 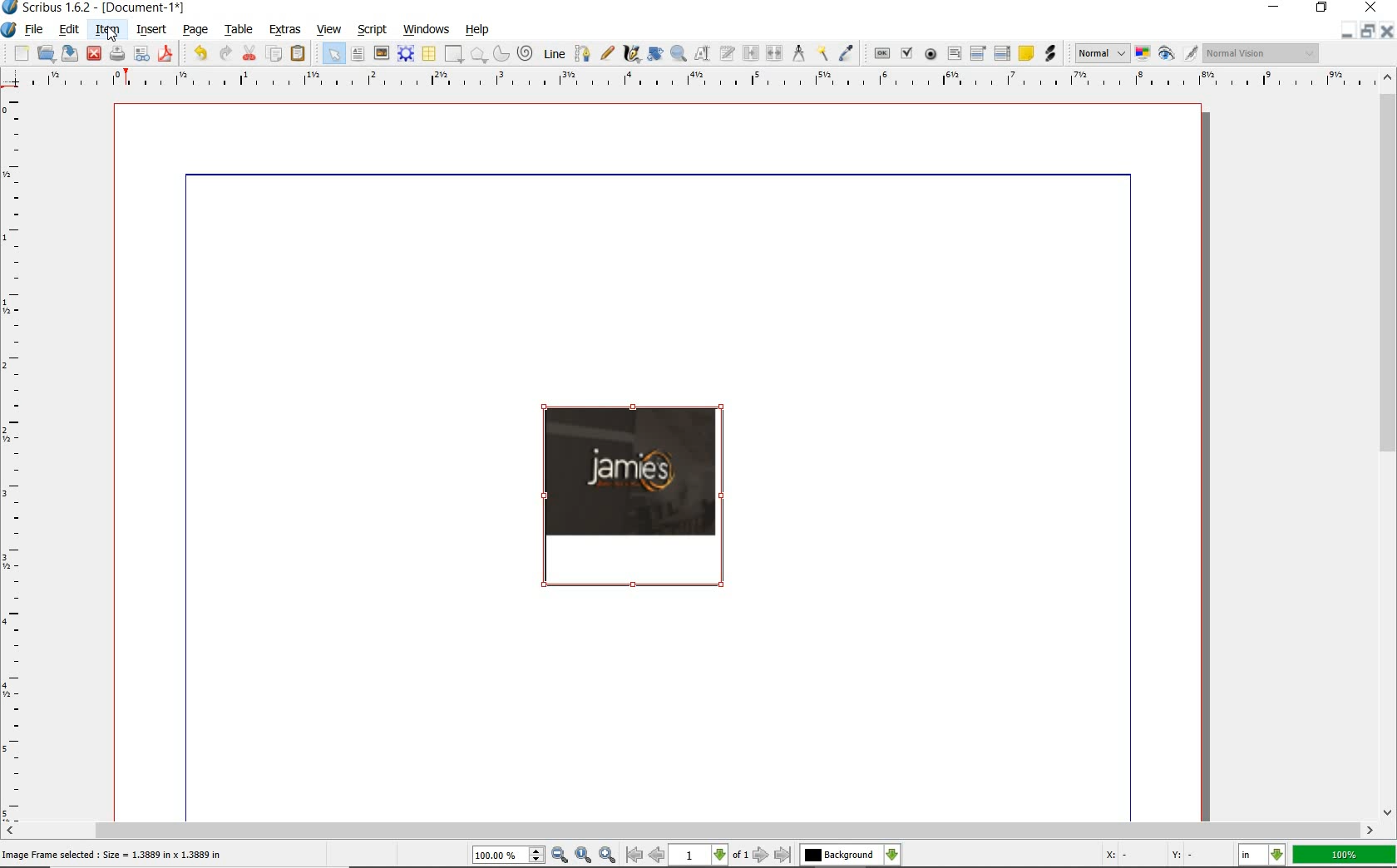 What do you see at coordinates (881, 55) in the screenshot?
I see `pdf push button` at bounding box center [881, 55].